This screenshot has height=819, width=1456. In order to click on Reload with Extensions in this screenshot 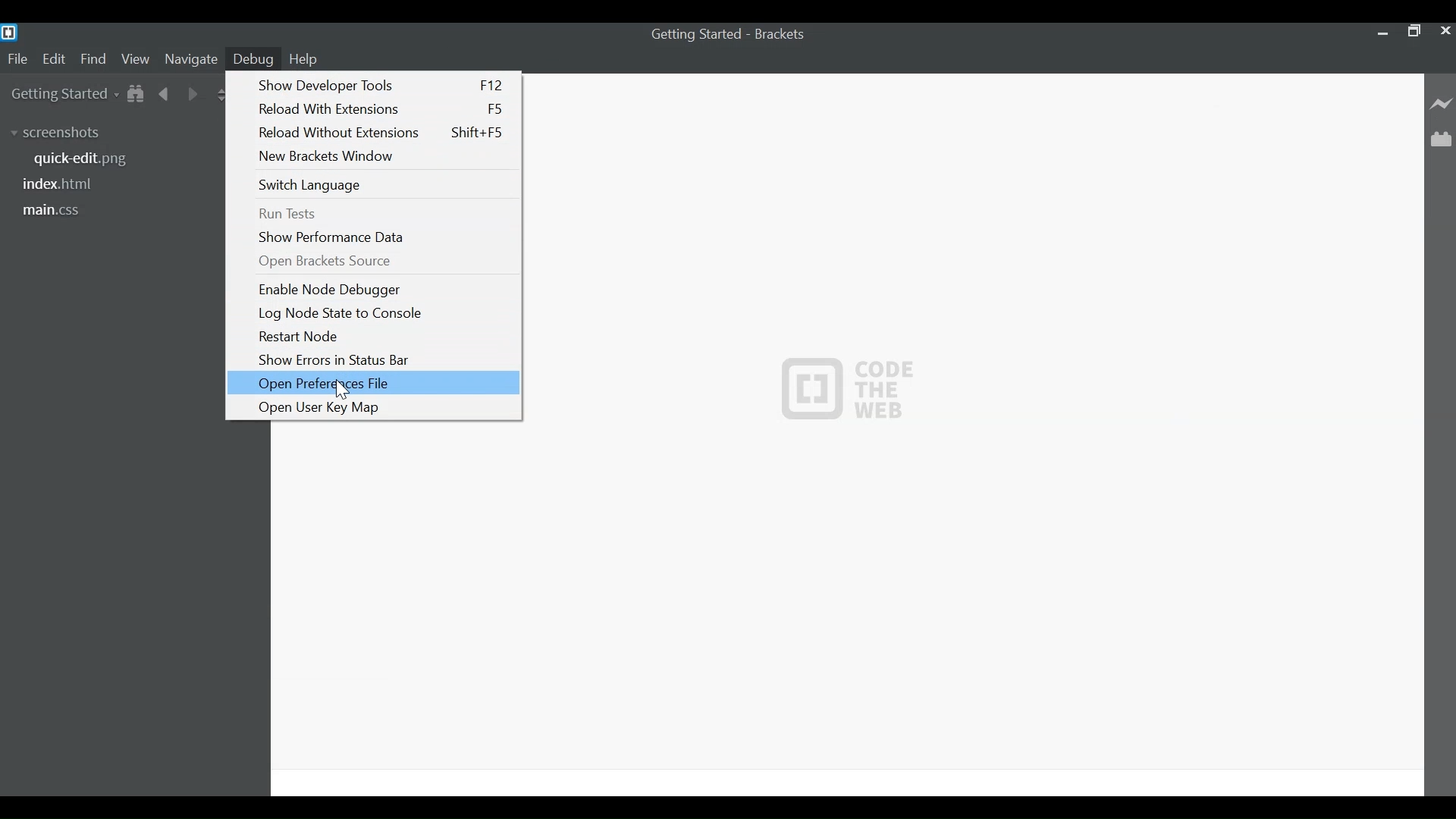, I will do `click(381, 110)`.